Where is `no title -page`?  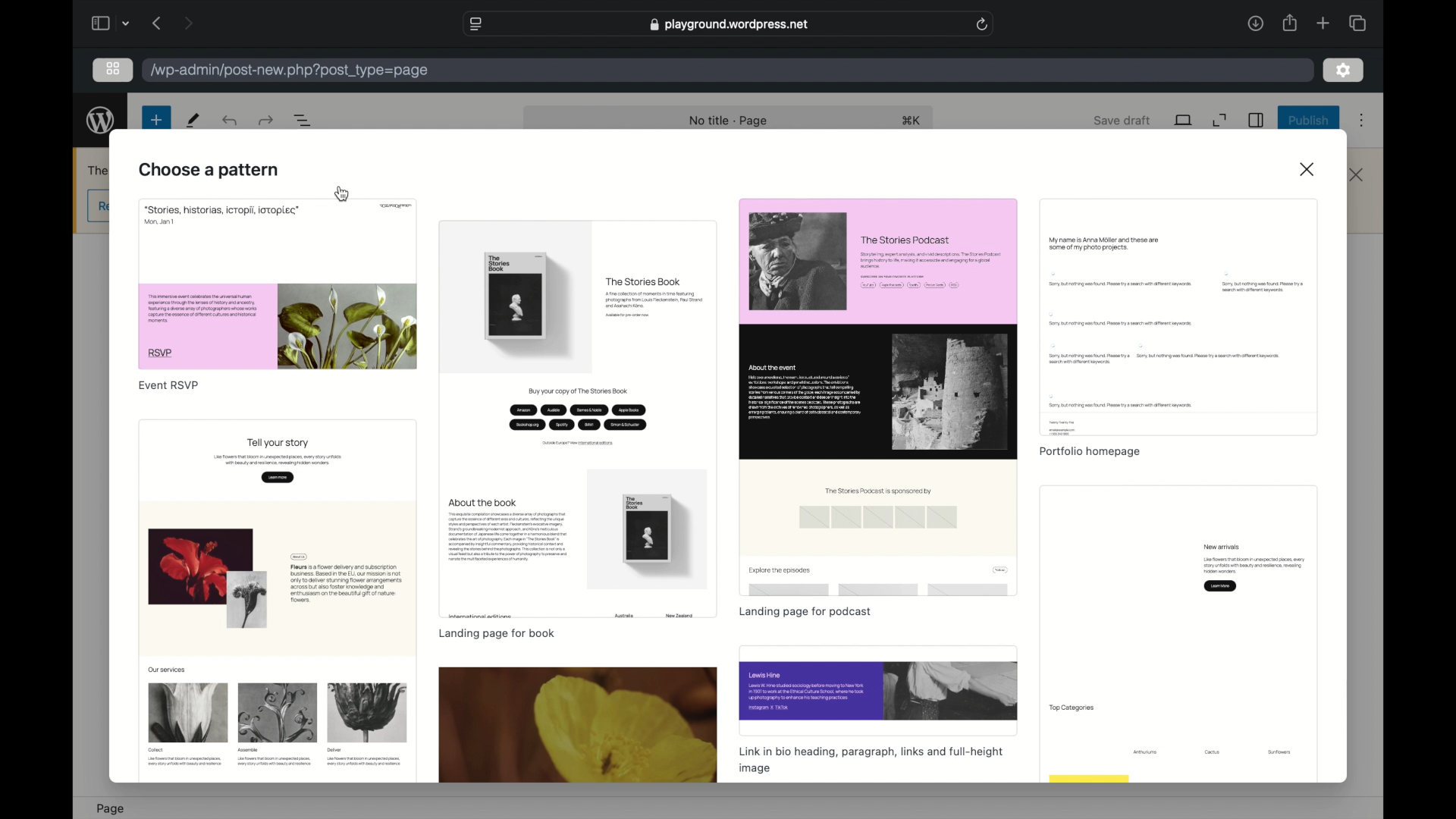
no title -page is located at coordinates (730, 122).